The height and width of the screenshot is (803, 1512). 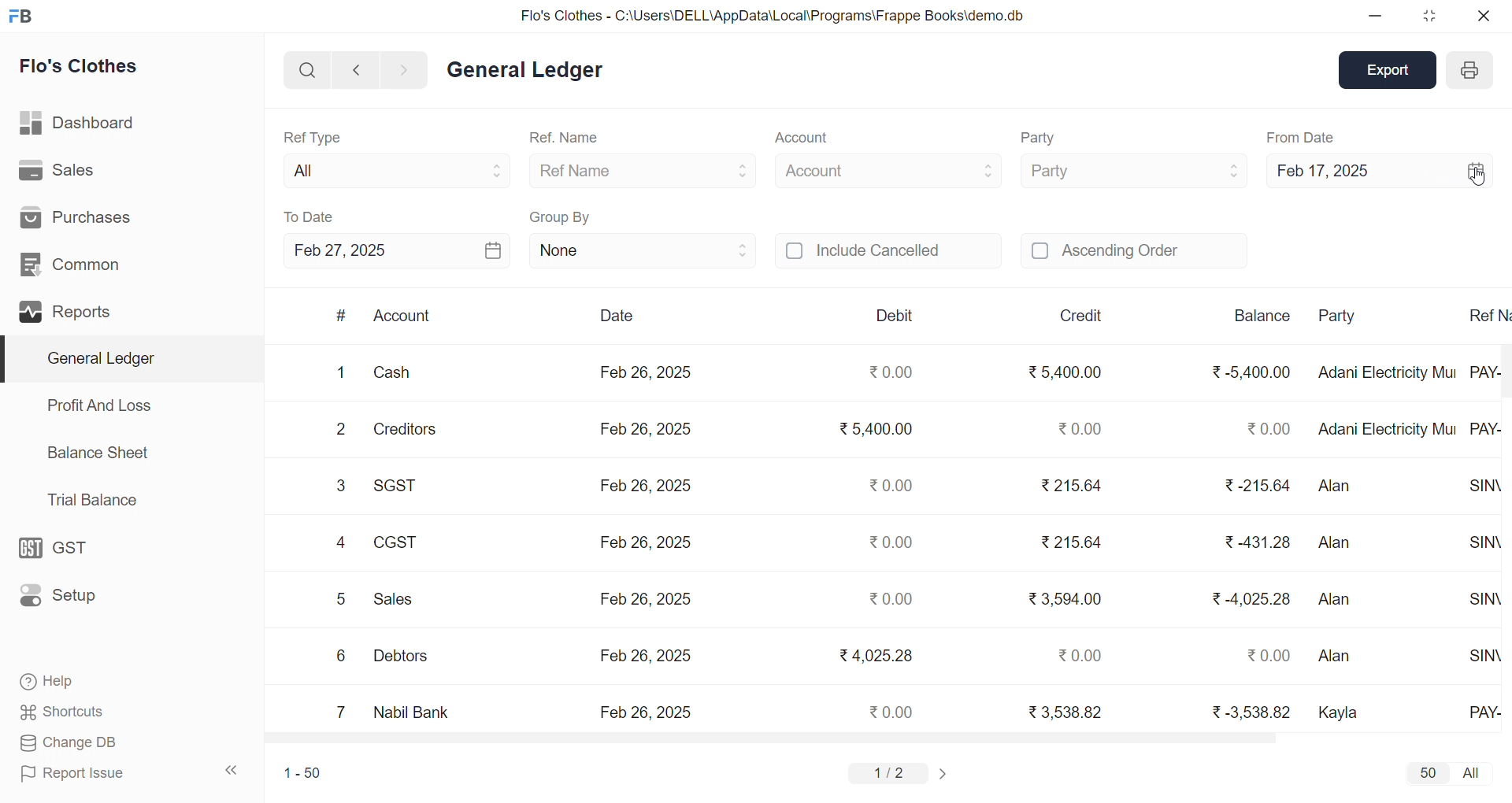 I want to click on 7, so click(x=341, y=711).